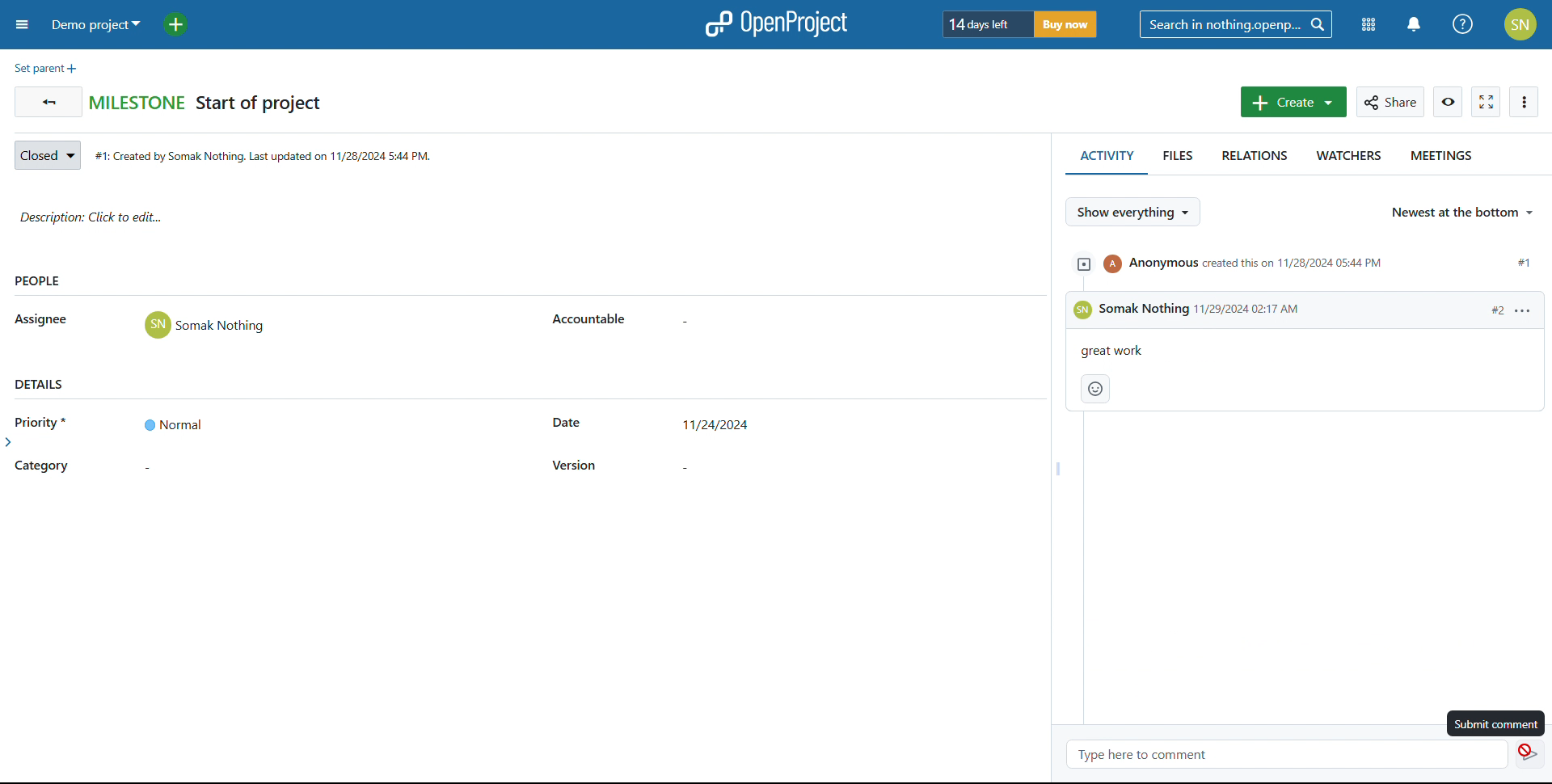 The width and height of the screenshot is (1552, 784). I want to click on expand side bar, so click(11, 445).